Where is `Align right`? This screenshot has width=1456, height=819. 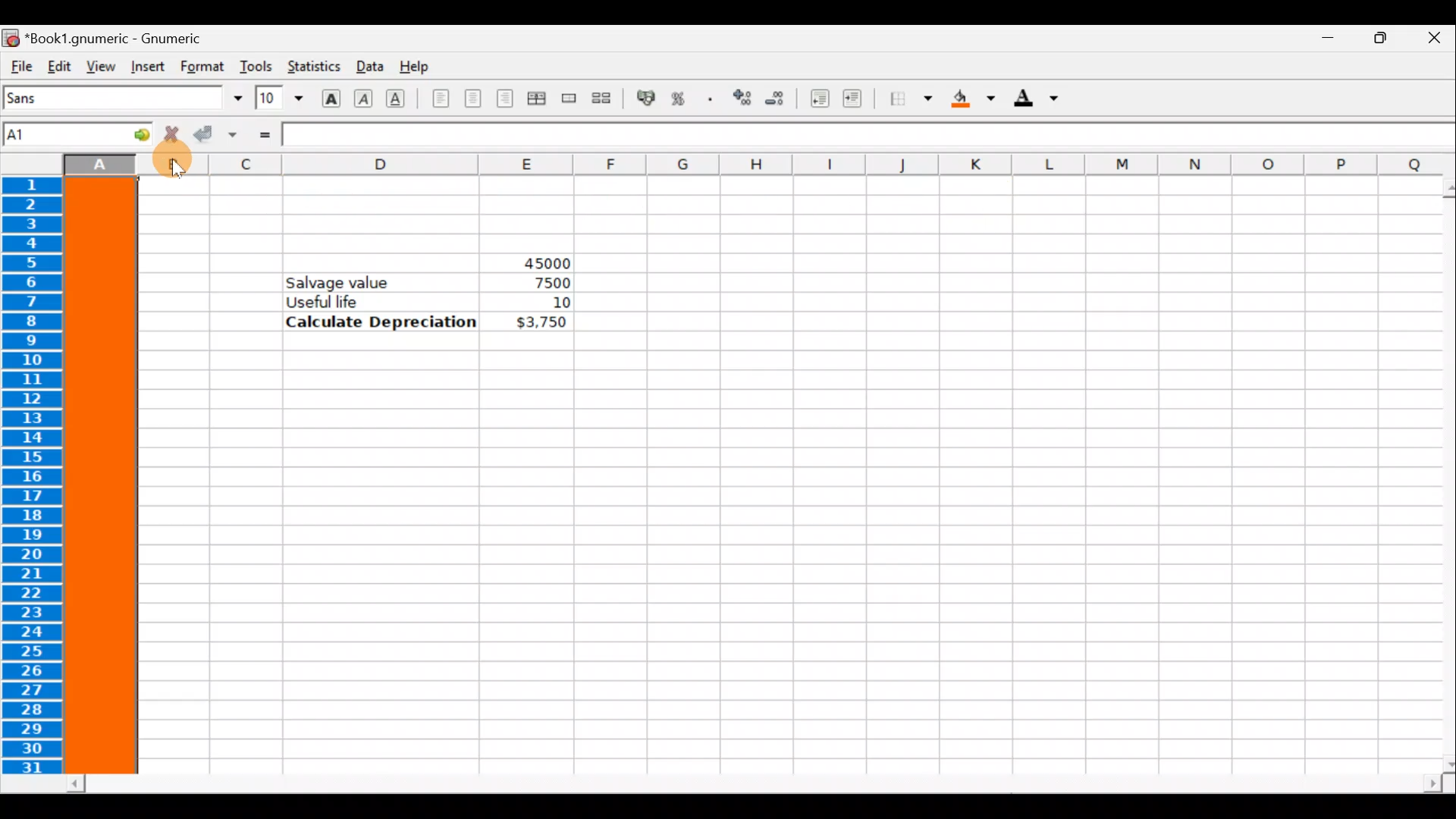 Align right is located at coordinates (504, 99).